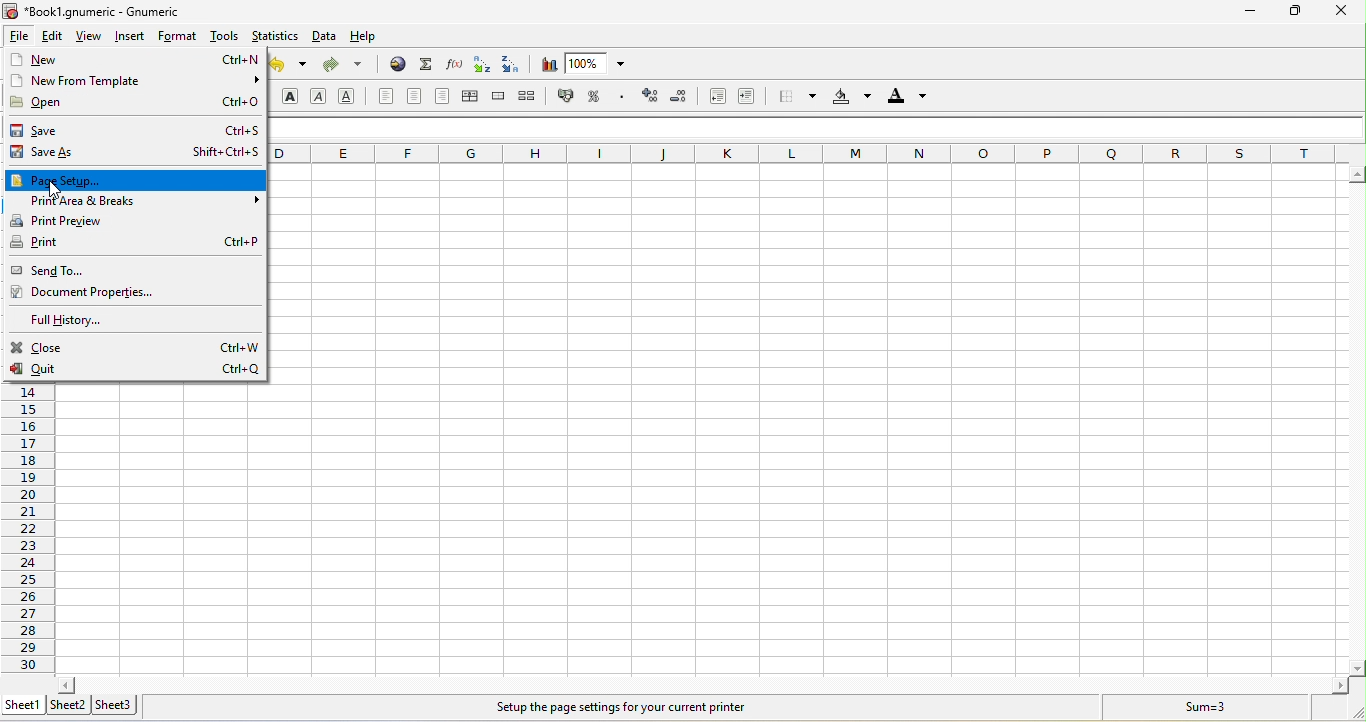  What do you see at coordinates (468, 97) in the screenshot?
I see `center horizontally` at bounding box center [468, 97].